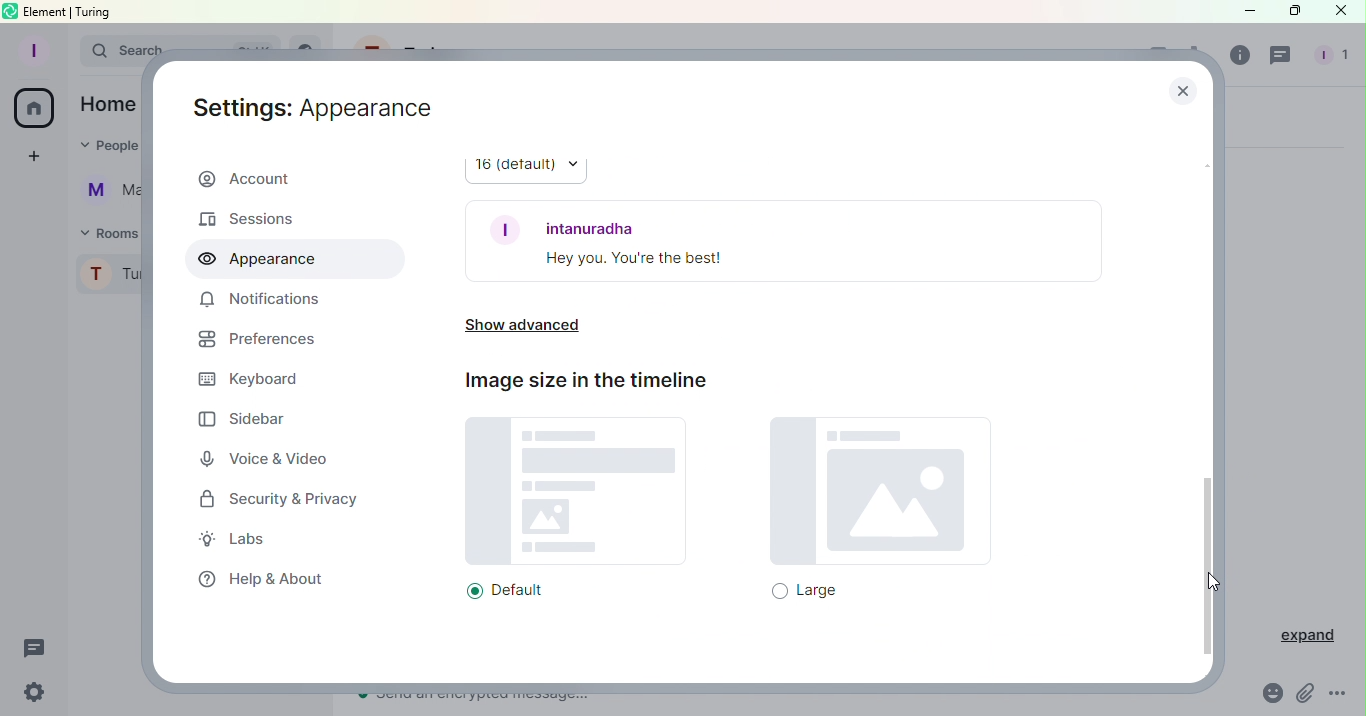 The image size is (1366, 716). What do you see at coordinates (595, 387) in the screenshot?
I see `Image size in the timeline` at bounding box center [595, 387].